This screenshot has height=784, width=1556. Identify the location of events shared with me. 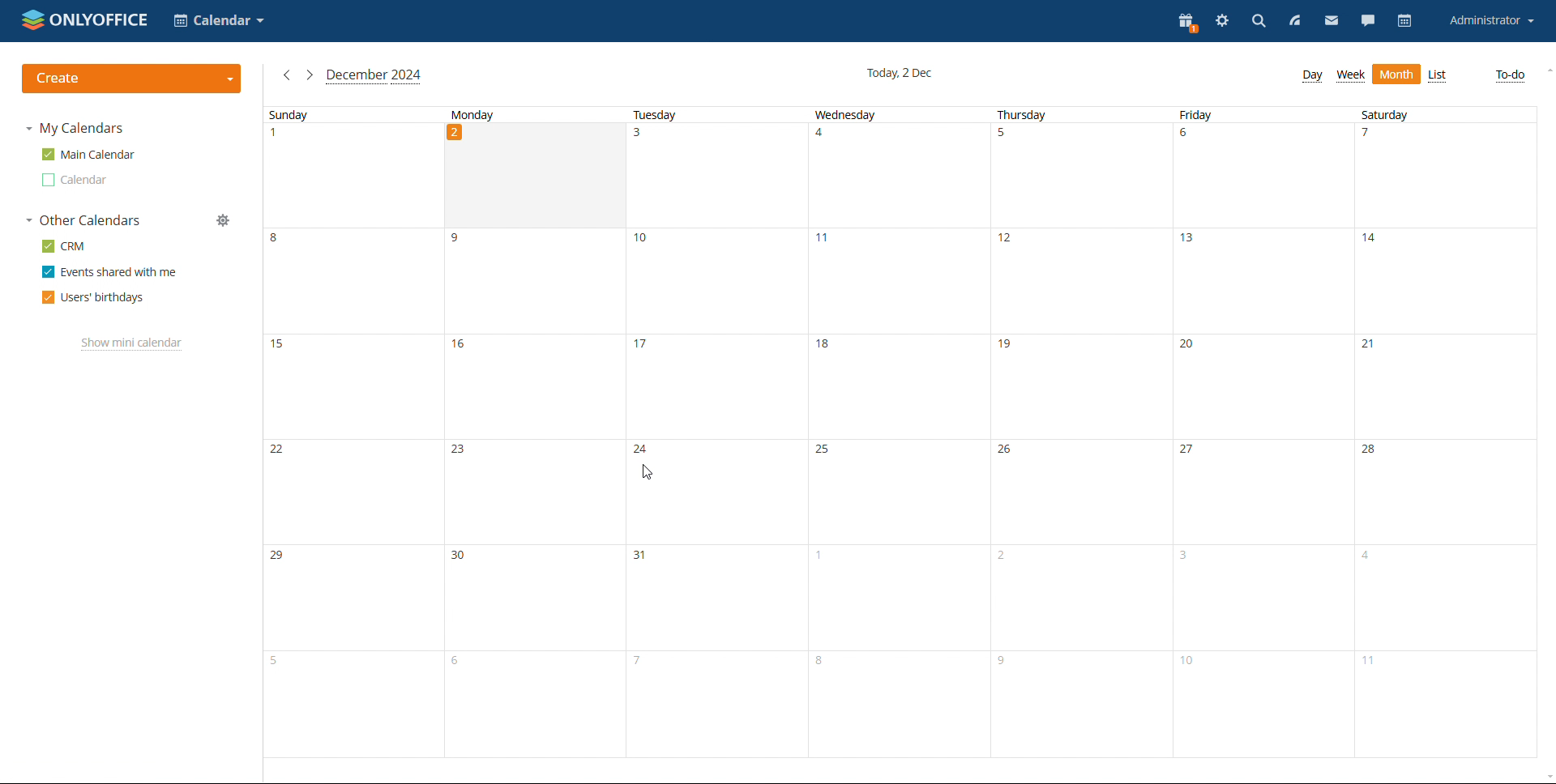
(110, 271).